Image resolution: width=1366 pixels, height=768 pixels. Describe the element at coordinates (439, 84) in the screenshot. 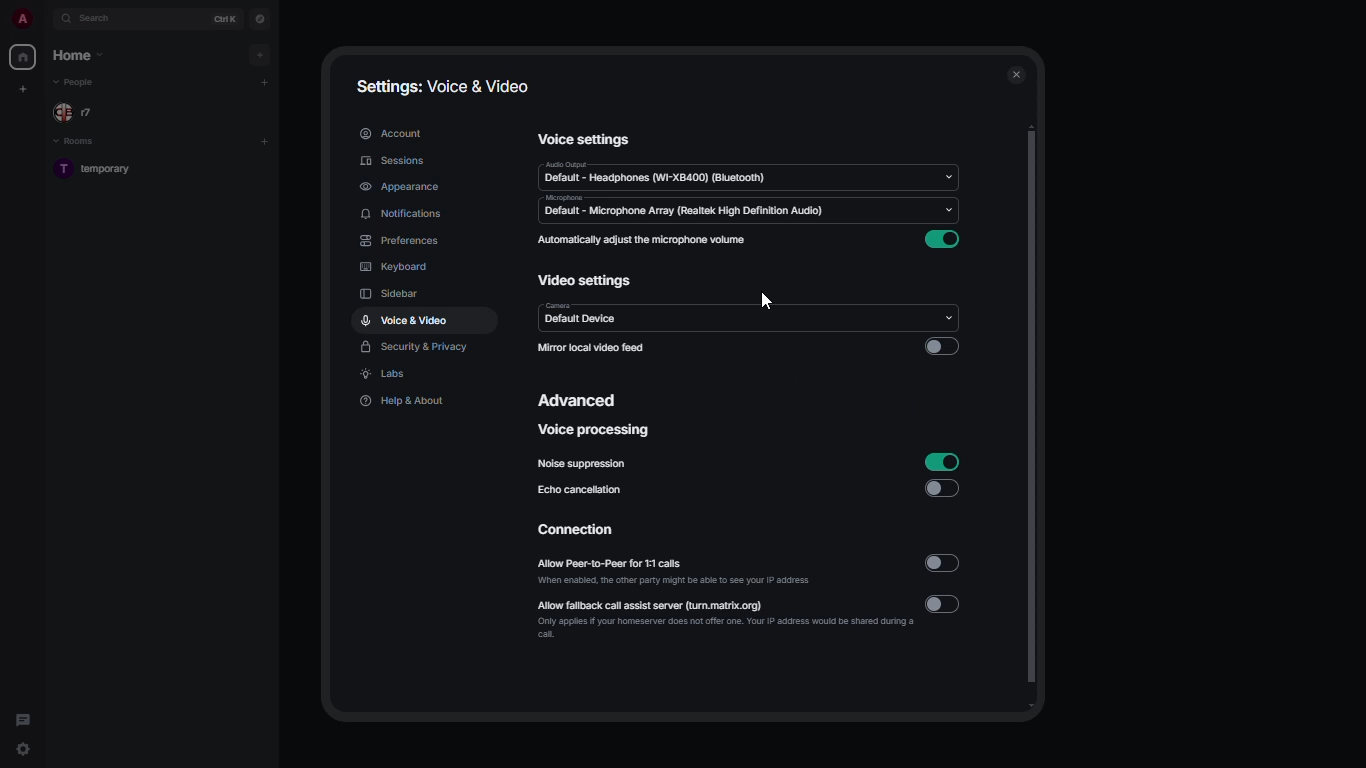

I see `settings: voice & video` at that location.